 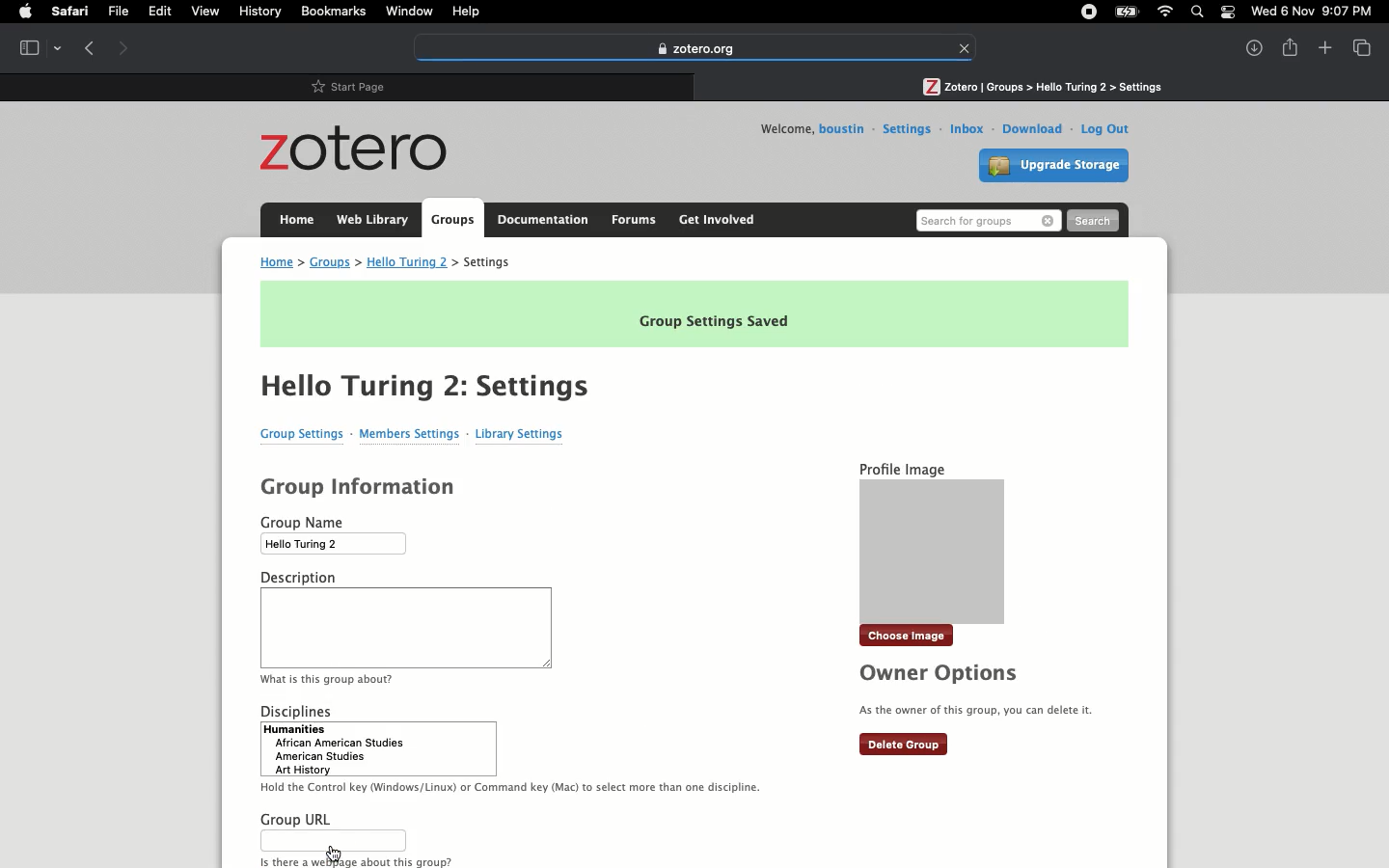 I want to click on Date/time, so click(x=1316, y=12).